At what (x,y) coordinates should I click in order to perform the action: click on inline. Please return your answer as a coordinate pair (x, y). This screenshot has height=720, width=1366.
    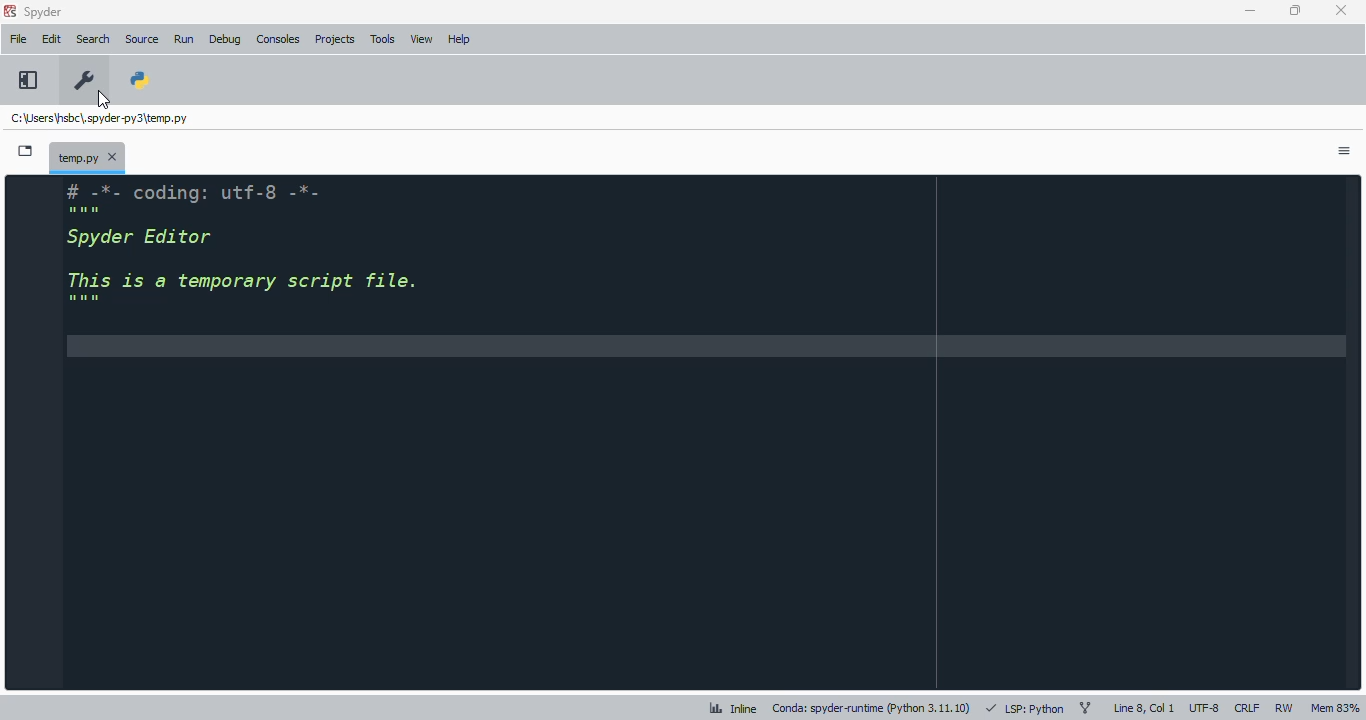
    Looking at the image, I should click on (733, 708).